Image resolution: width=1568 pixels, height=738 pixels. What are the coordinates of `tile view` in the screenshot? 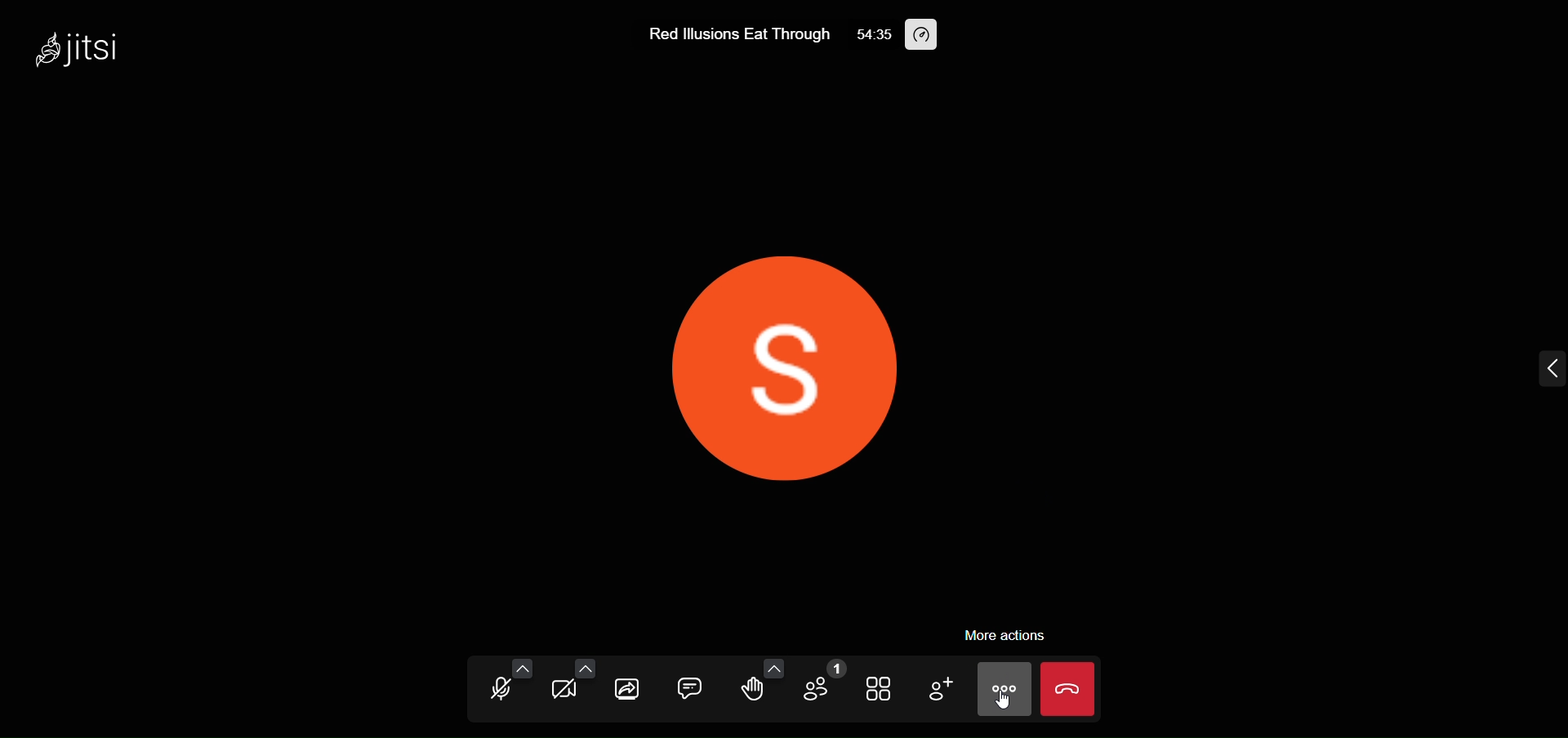 It's located at (879, 689).